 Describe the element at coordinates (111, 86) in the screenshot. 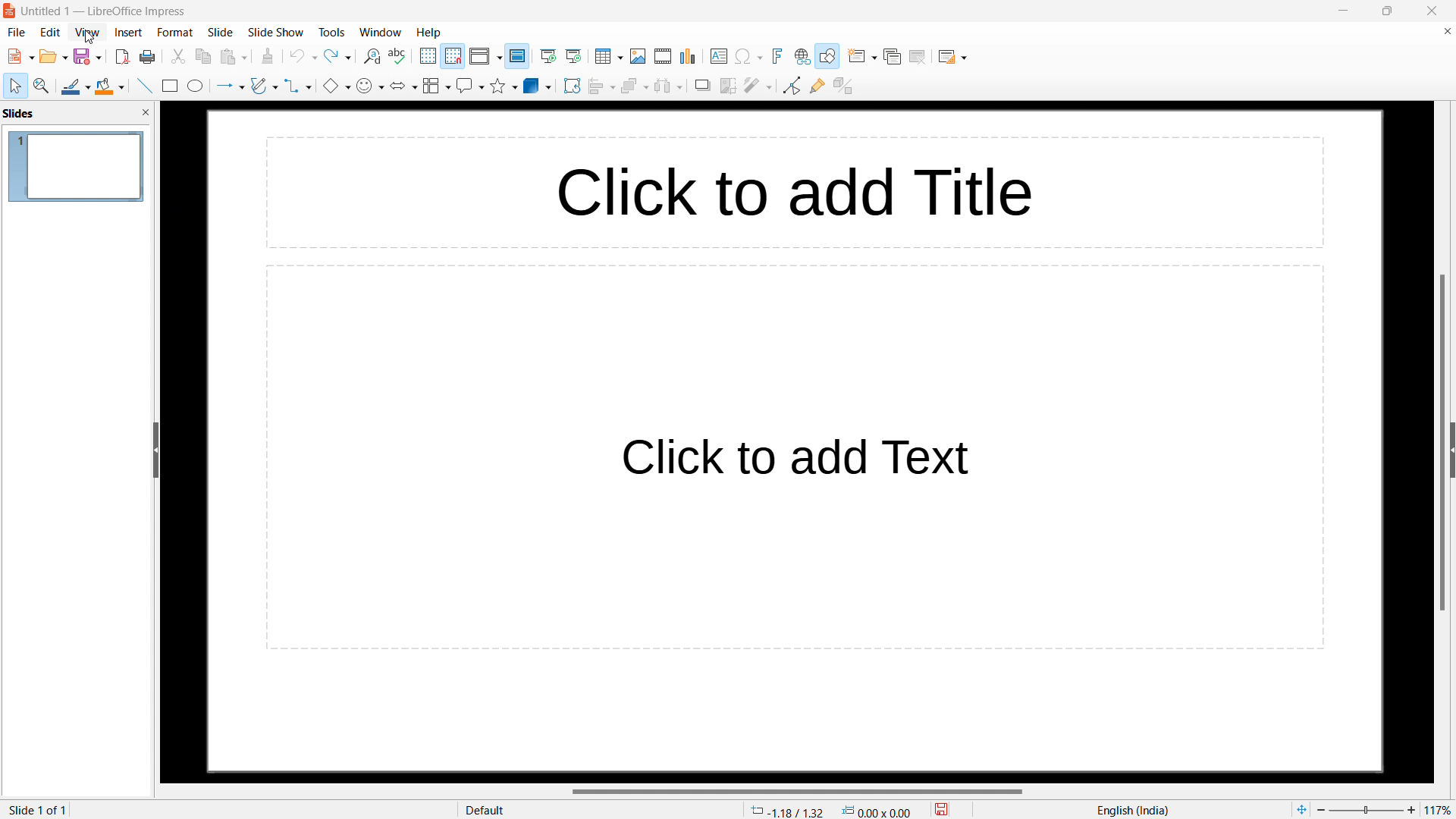

I see `fill color` at that location.